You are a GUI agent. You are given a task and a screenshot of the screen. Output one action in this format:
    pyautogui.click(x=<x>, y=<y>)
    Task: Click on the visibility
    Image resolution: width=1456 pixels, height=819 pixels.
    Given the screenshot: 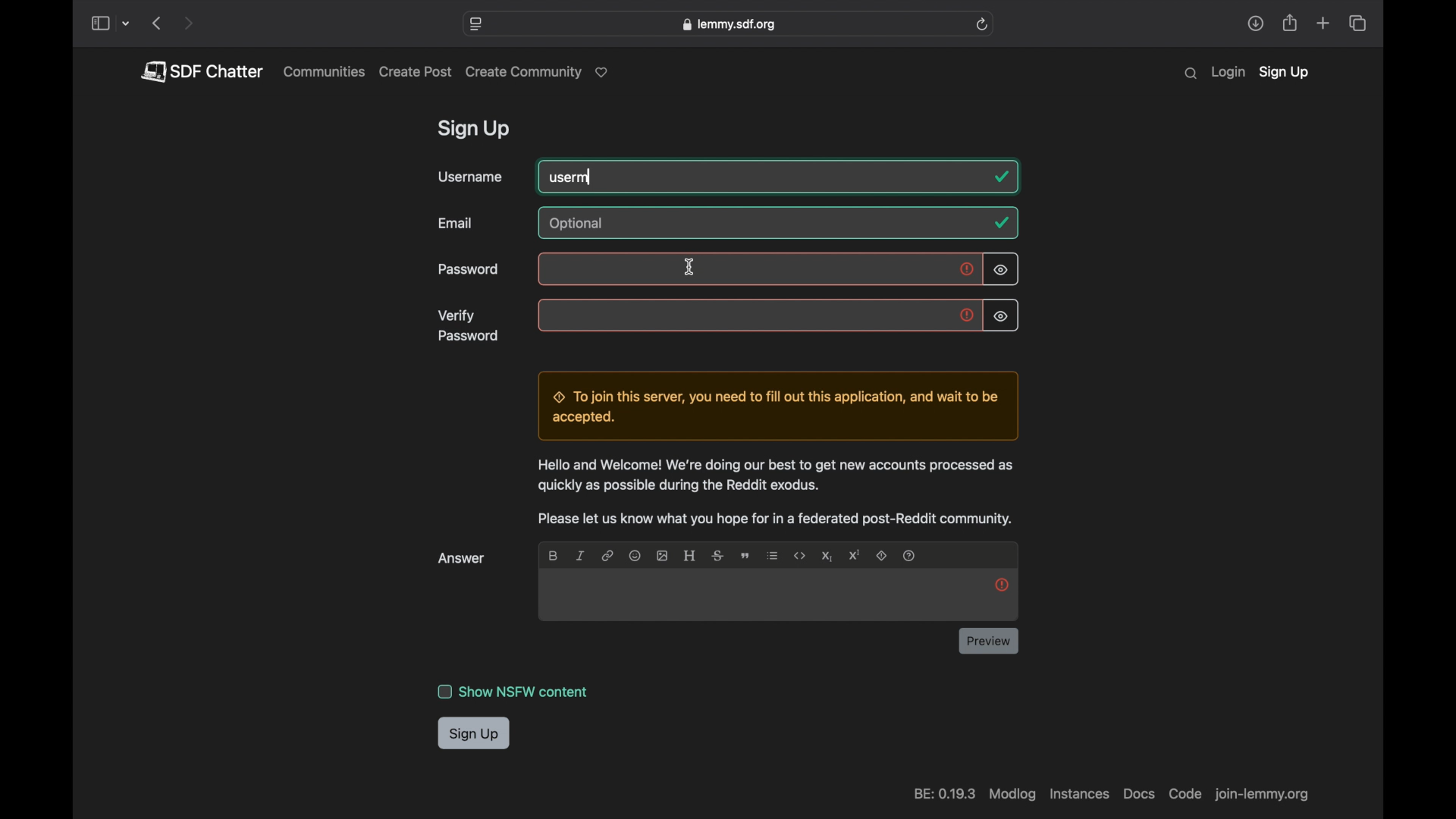 What is the action you would take?
    pyautogui.click(x=1002, y=270)
    